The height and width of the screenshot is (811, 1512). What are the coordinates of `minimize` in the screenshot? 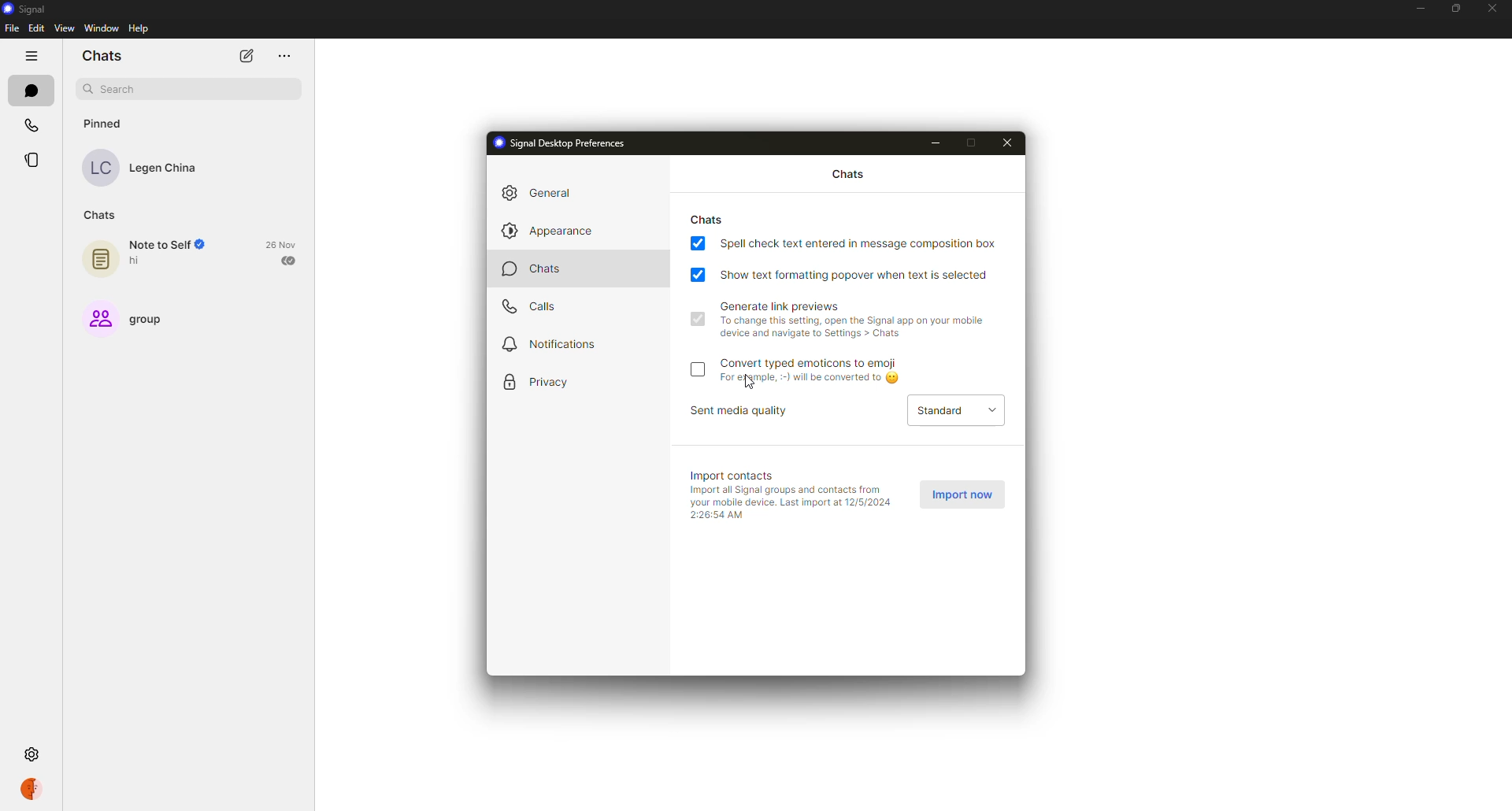 It's located at (1418, 9).